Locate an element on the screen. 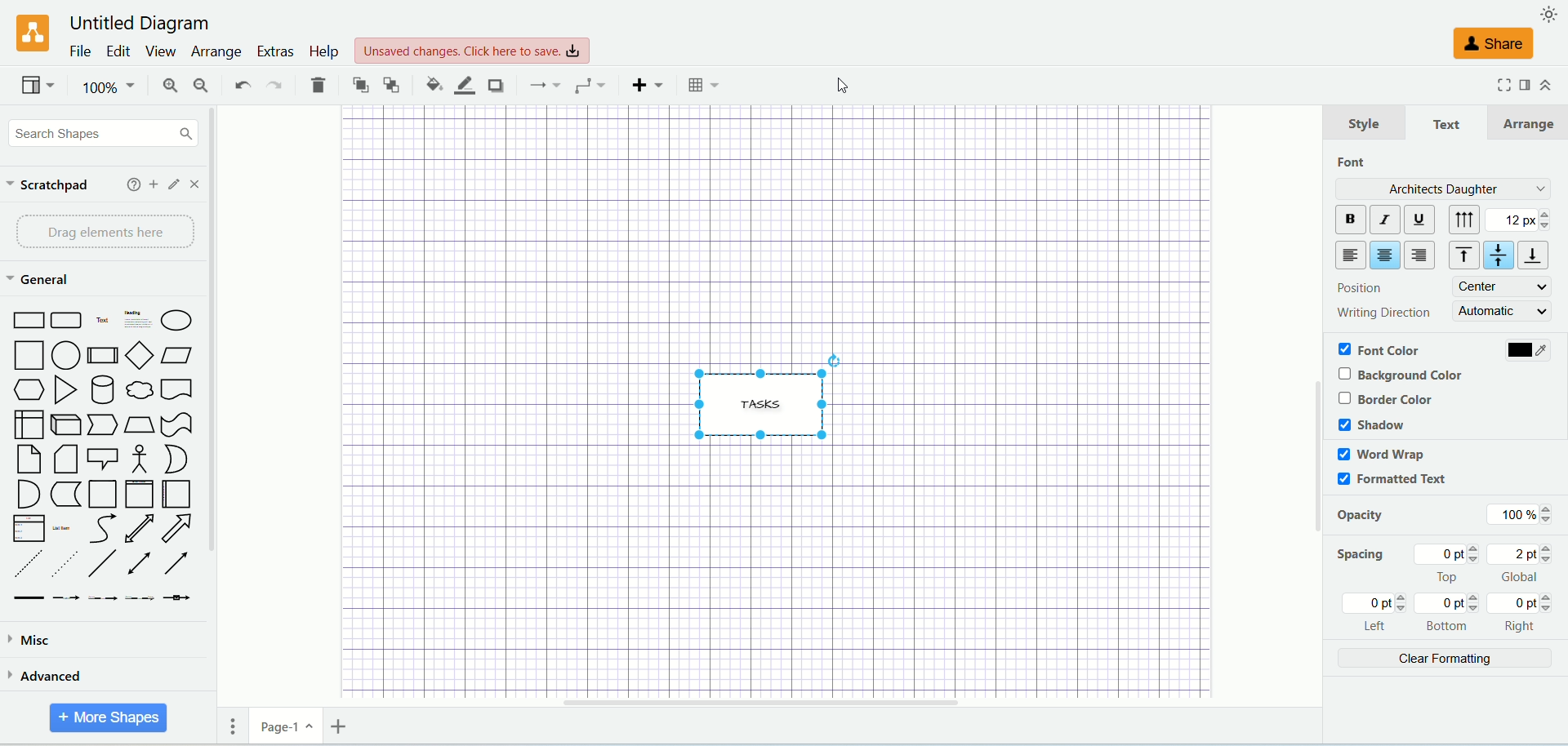 This screenshot has width=1568, height=746. Horizantal Container is located at coordinates (177, 495).